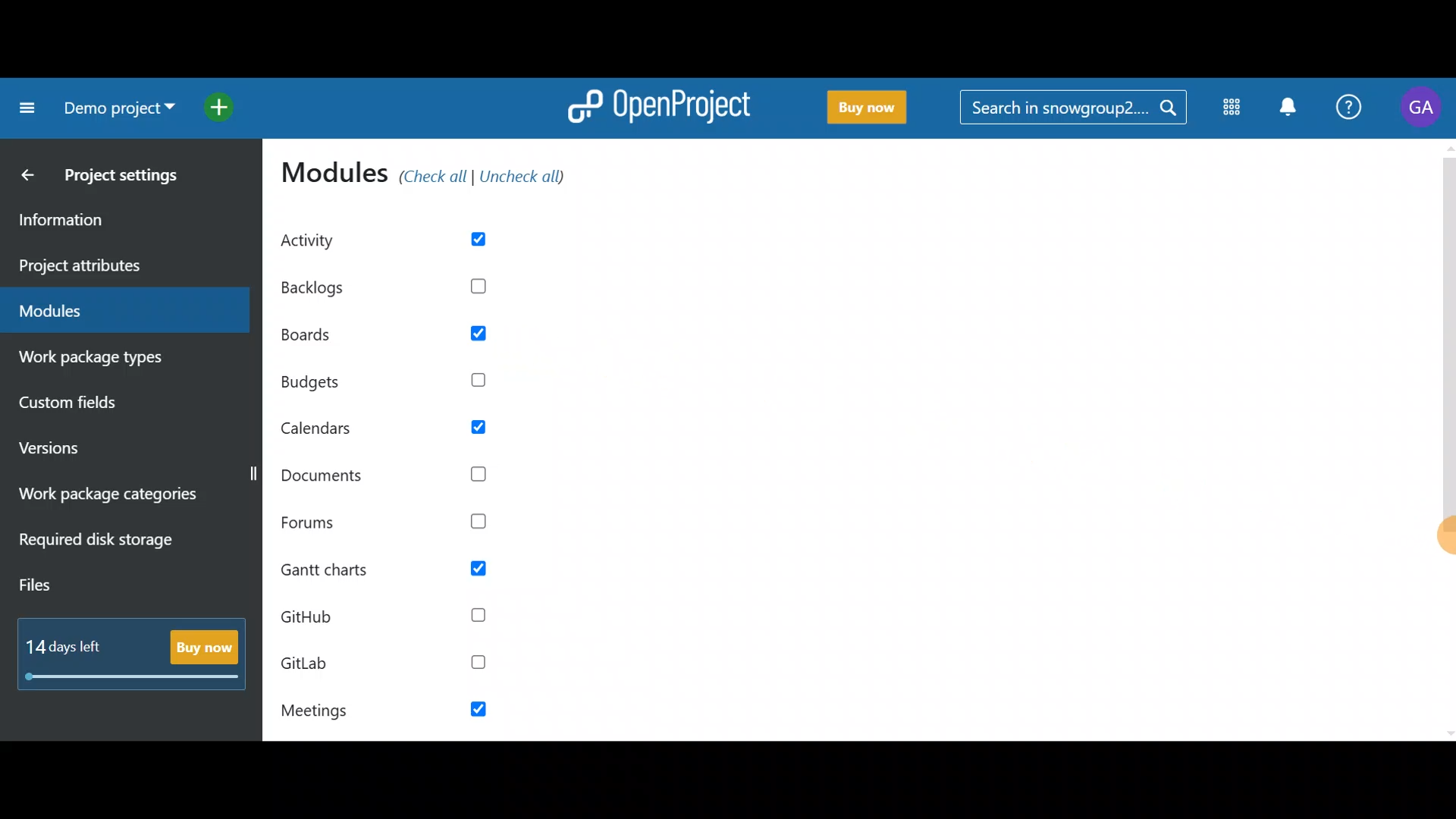 The image size is (1456, 819). What do you see at coordinates (1072, 111) in the screenshot?
I see `Search bar` at bounding box center [1072, 111].